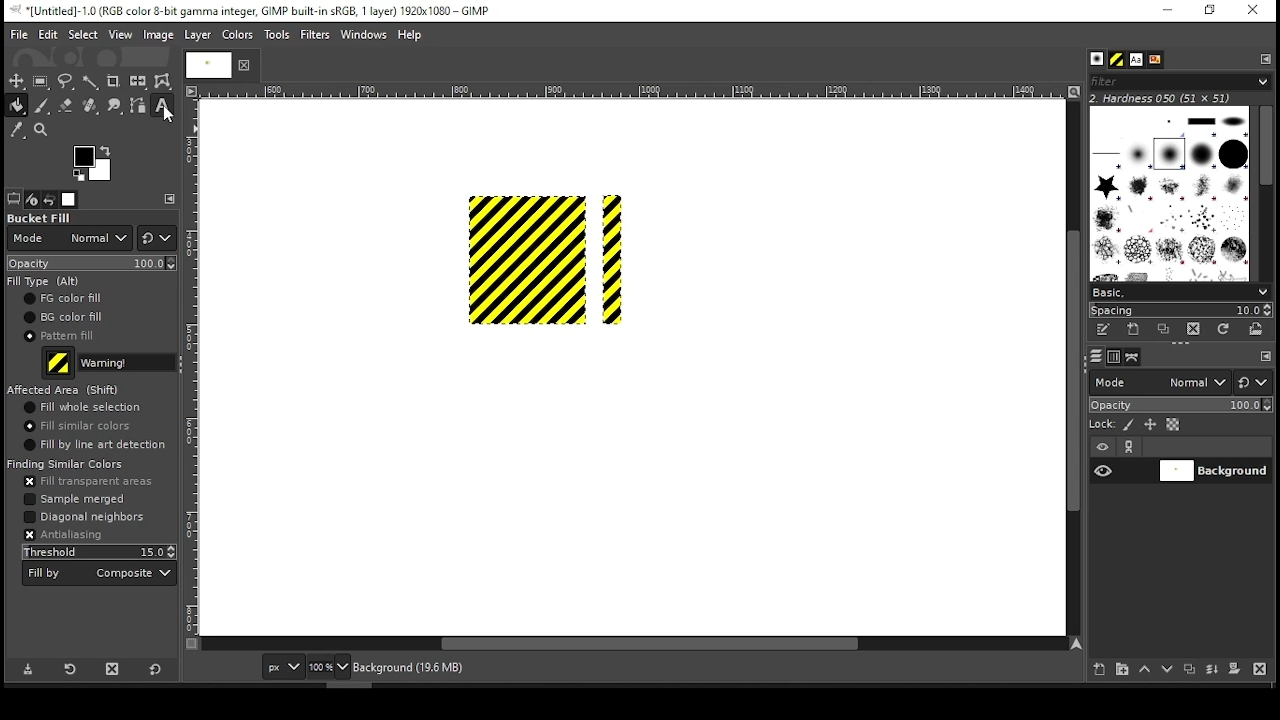 Image resolution: width=1280 pixels, height=720 pixels. What do you see at coordinates (1159, 384) in the screenshot?
I see `mode` at bounding box center [1159, 384].